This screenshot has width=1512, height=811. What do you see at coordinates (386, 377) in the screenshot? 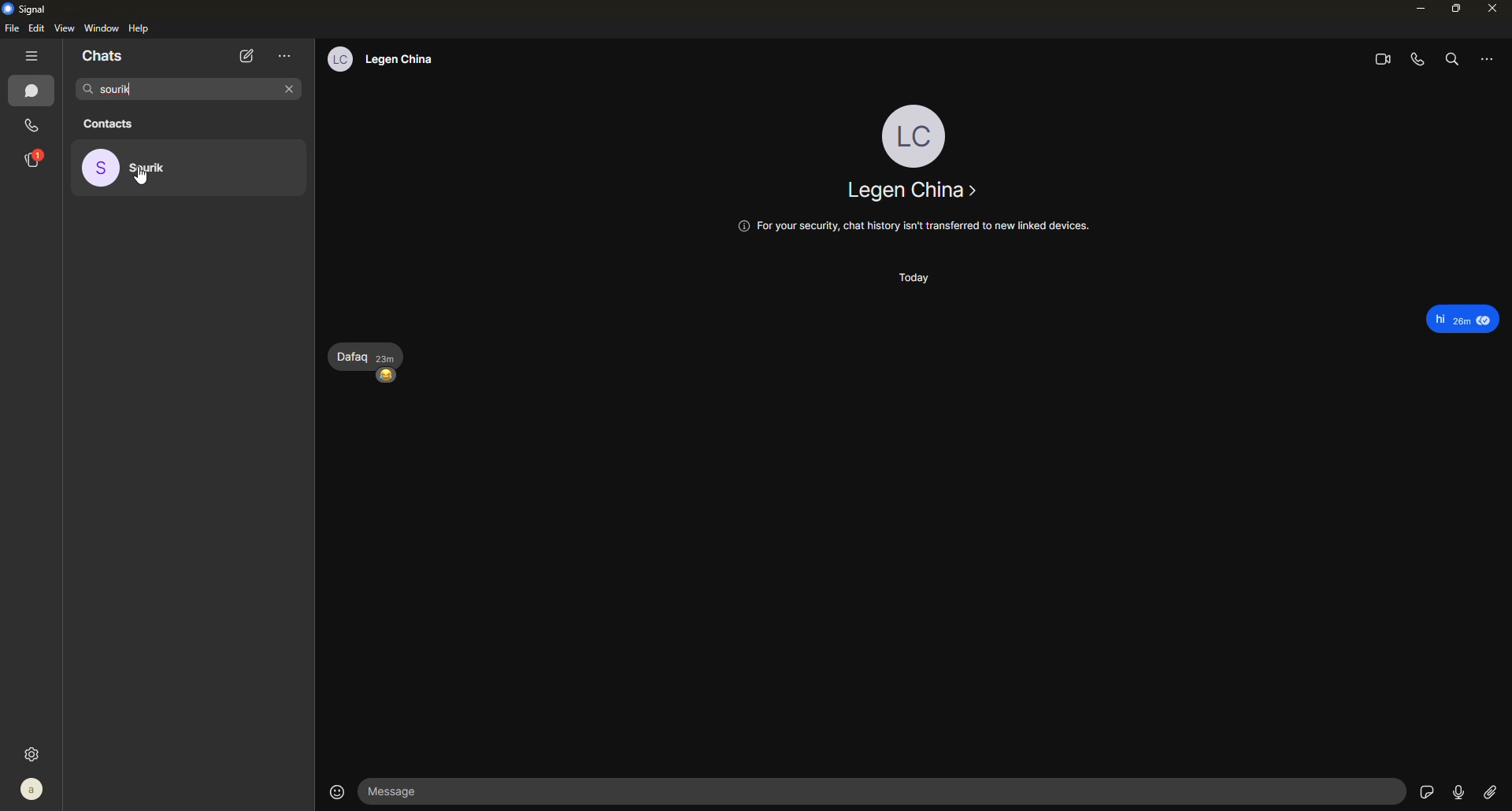
I see `happy emoji` at bounding box center [386, 377].